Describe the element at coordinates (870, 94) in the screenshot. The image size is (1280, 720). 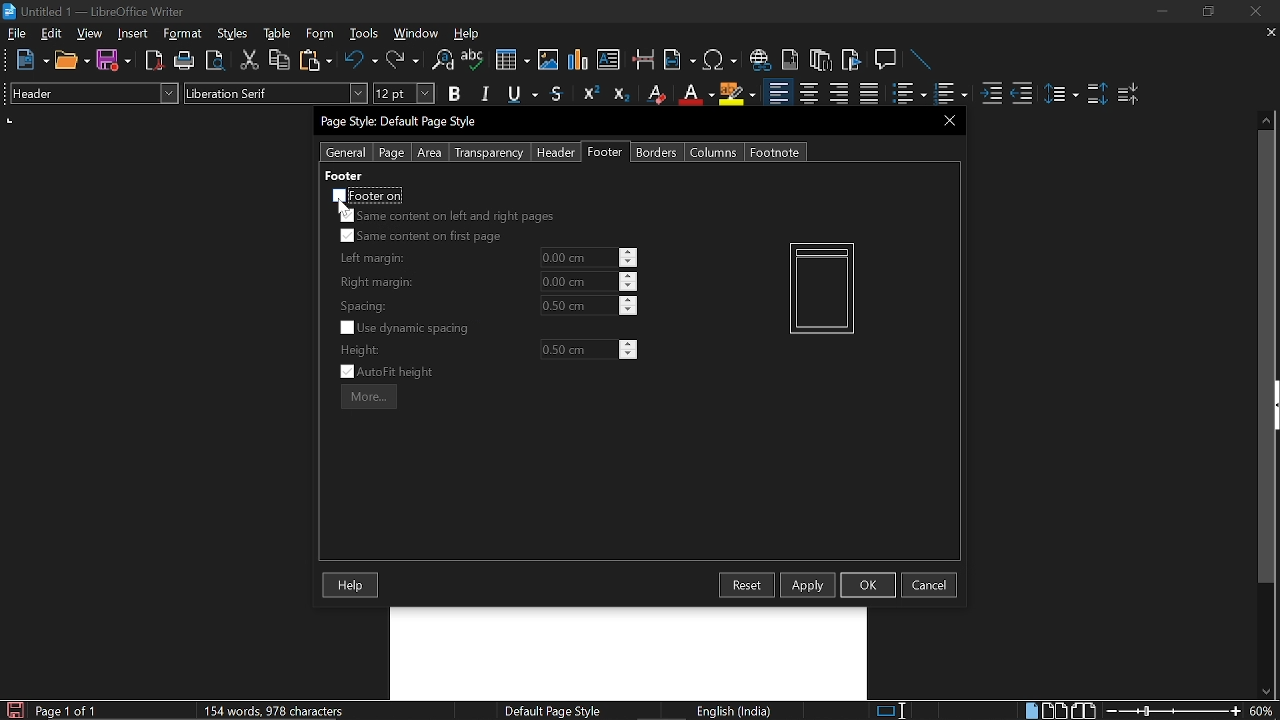
I see `Justified` at that location.